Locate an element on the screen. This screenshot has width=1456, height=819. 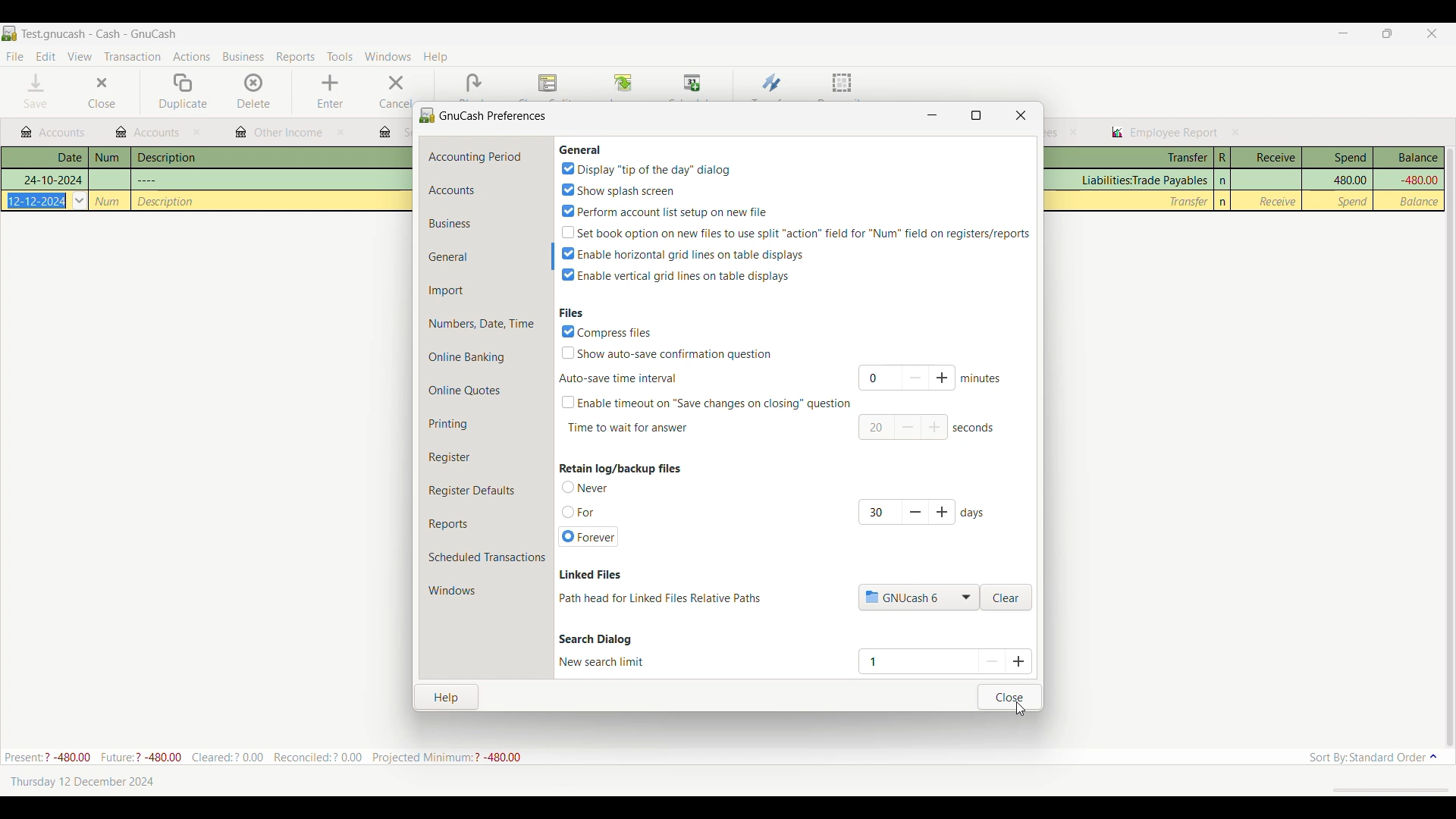
Current selection highlighted is located at coordinates (488, 256).